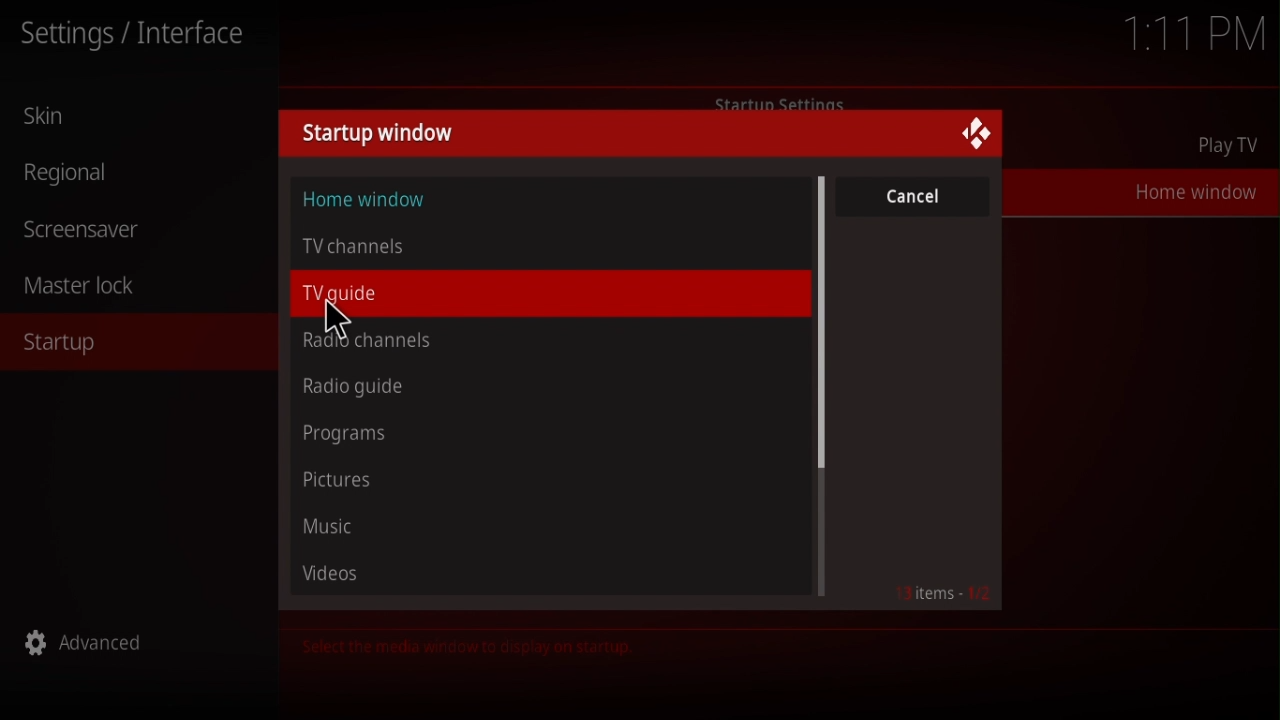 The width and height of the screenshot is (1280, 720). I want to click on music, so click(335, 527).